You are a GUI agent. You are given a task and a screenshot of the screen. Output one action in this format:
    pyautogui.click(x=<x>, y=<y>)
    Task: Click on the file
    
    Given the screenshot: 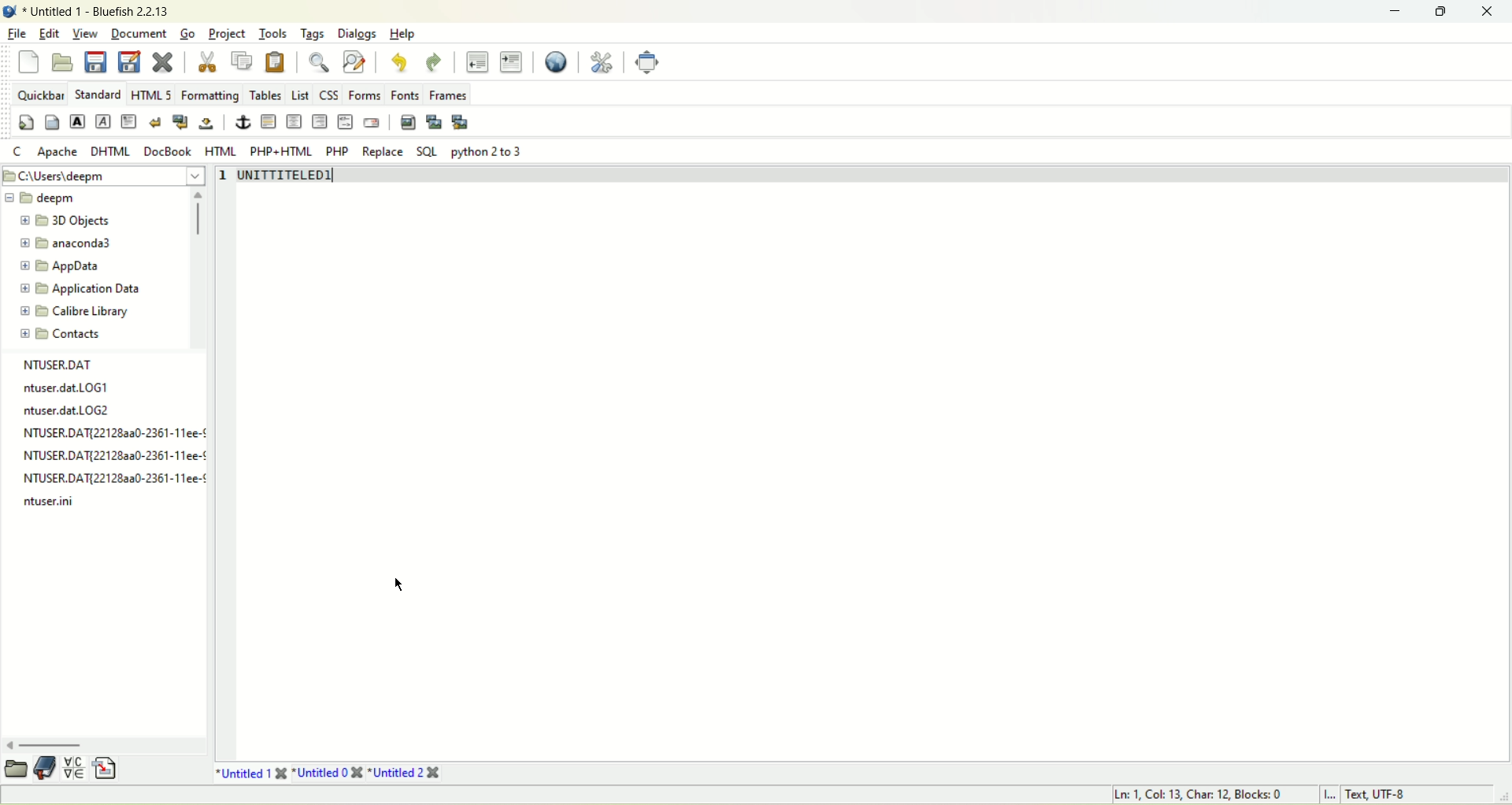 What is the action you would take?
    pyautogui.click(x=61, y=362)
    